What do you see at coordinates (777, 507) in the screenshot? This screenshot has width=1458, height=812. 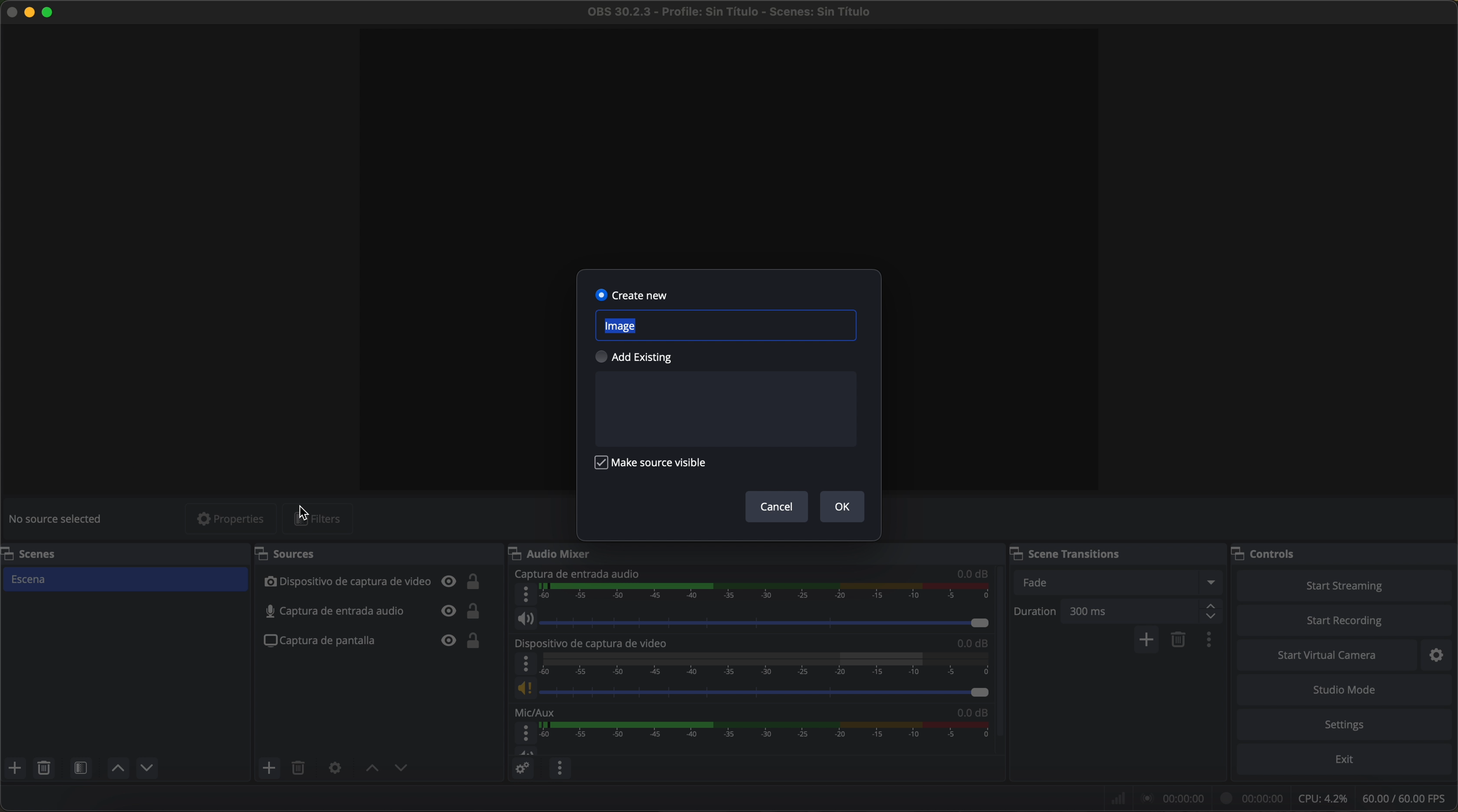 I see `cancel button` at bounding box center [777, 507].